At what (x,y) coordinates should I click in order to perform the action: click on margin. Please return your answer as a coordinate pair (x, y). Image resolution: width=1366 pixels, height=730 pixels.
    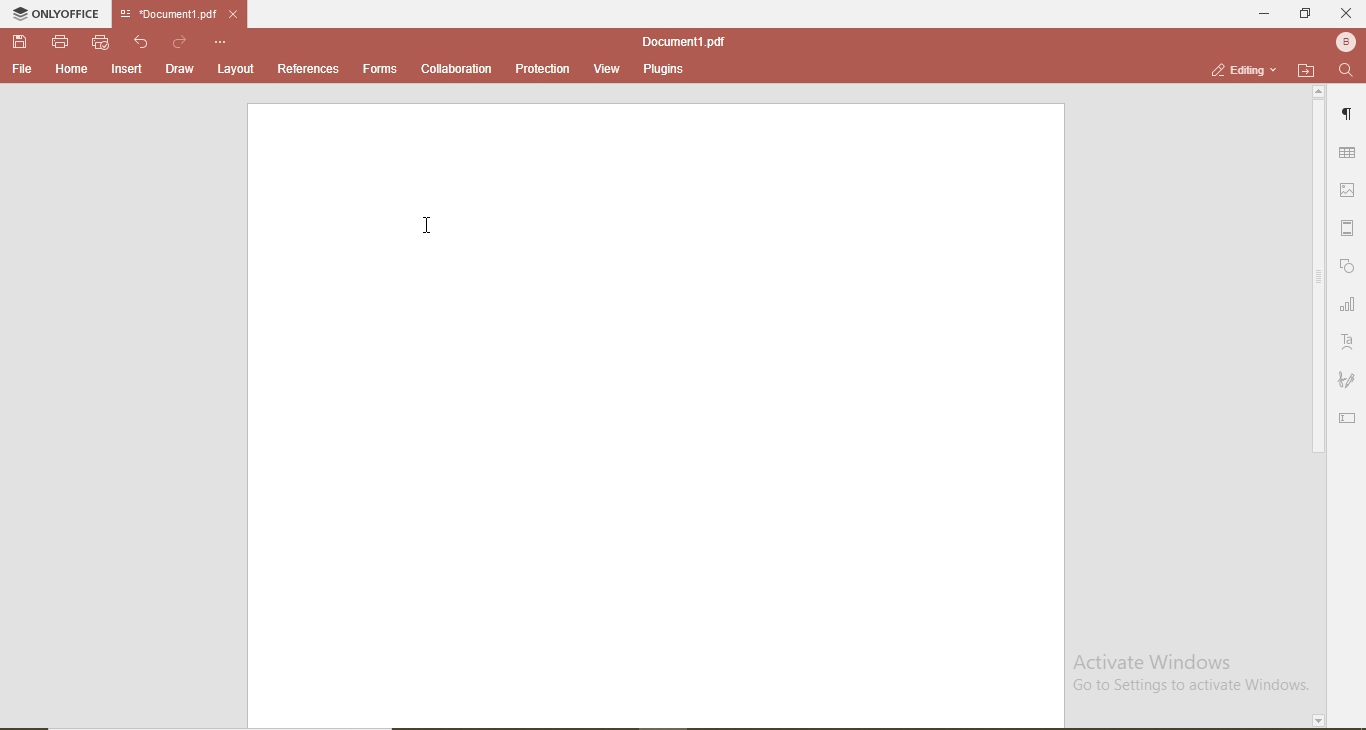
    Looking at the image, I should click on (1348, 225).